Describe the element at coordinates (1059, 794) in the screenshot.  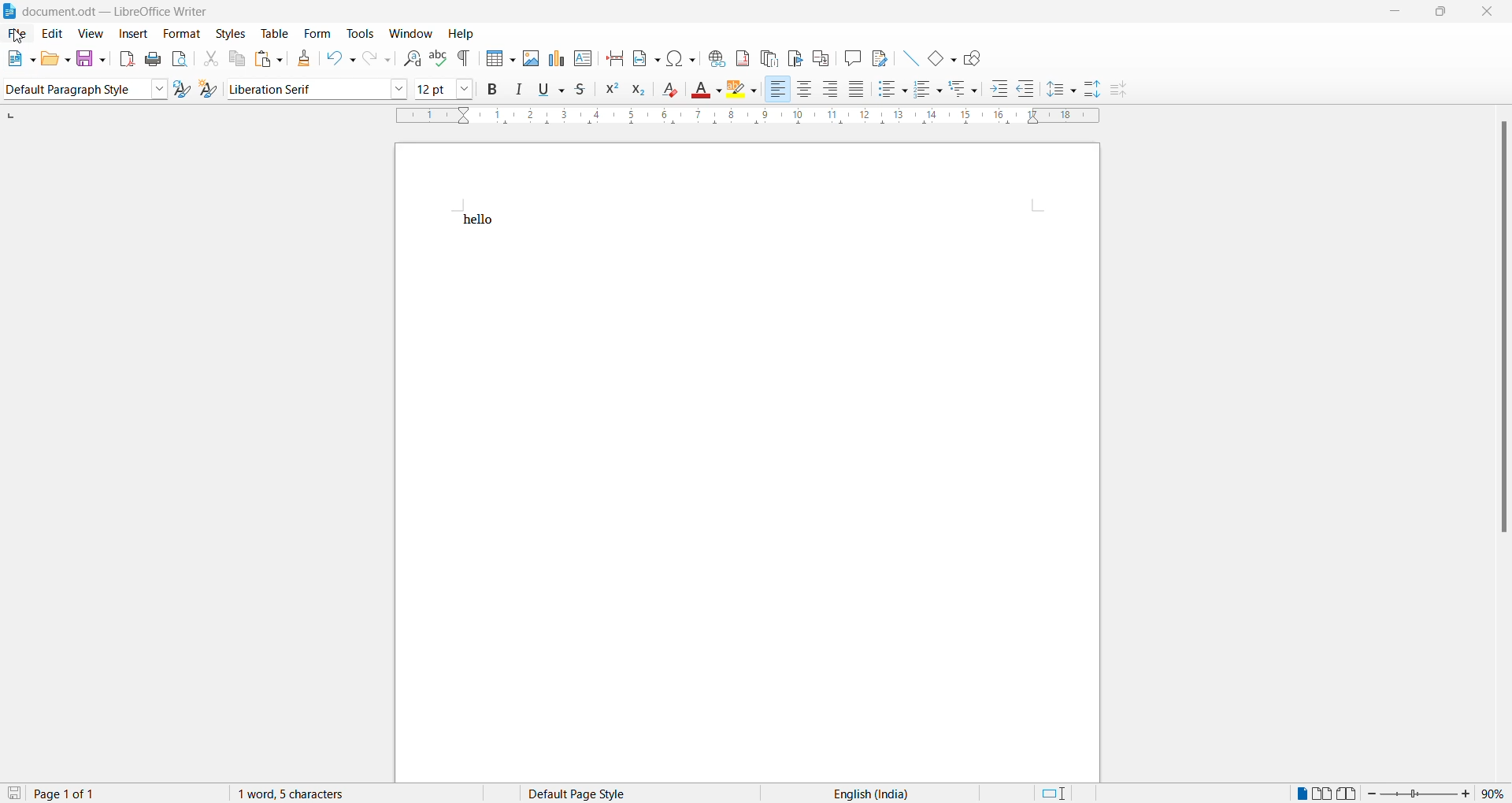
I see `standard selection` at that location.